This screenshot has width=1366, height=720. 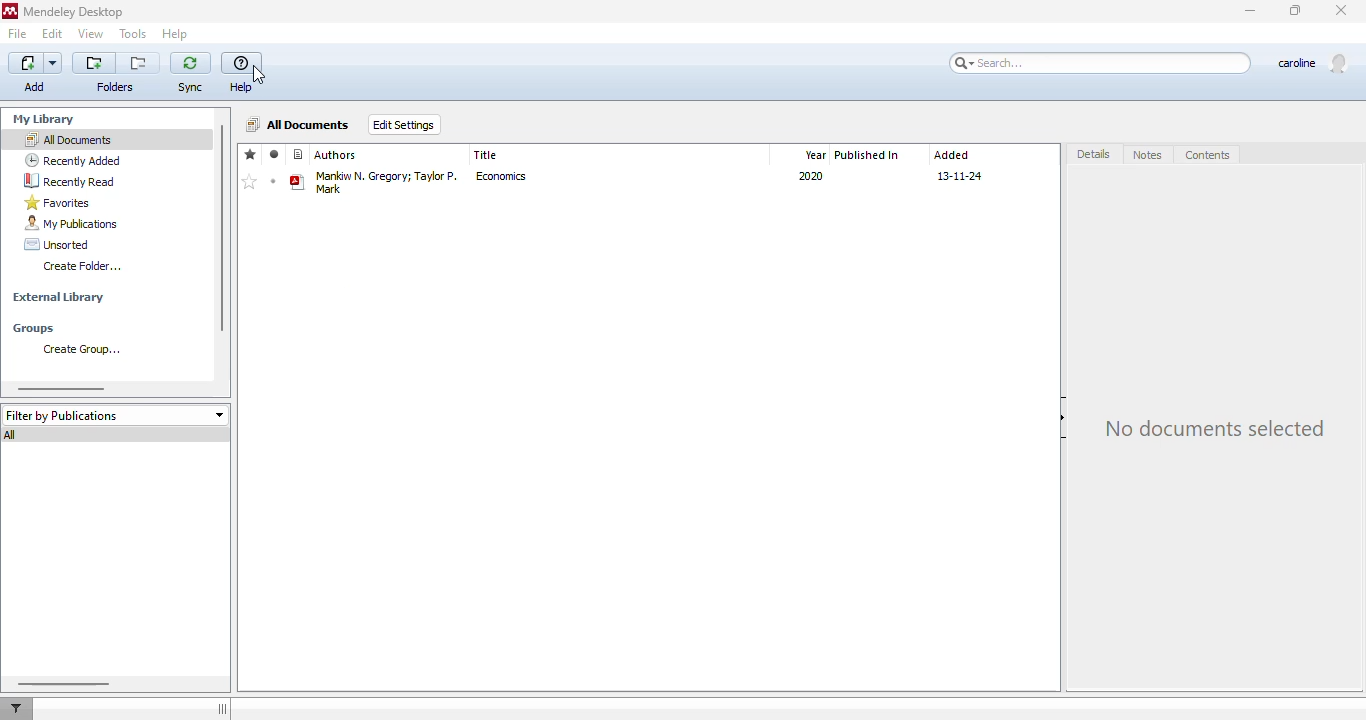 I want to click on contents, so click(x=1206, y=155).